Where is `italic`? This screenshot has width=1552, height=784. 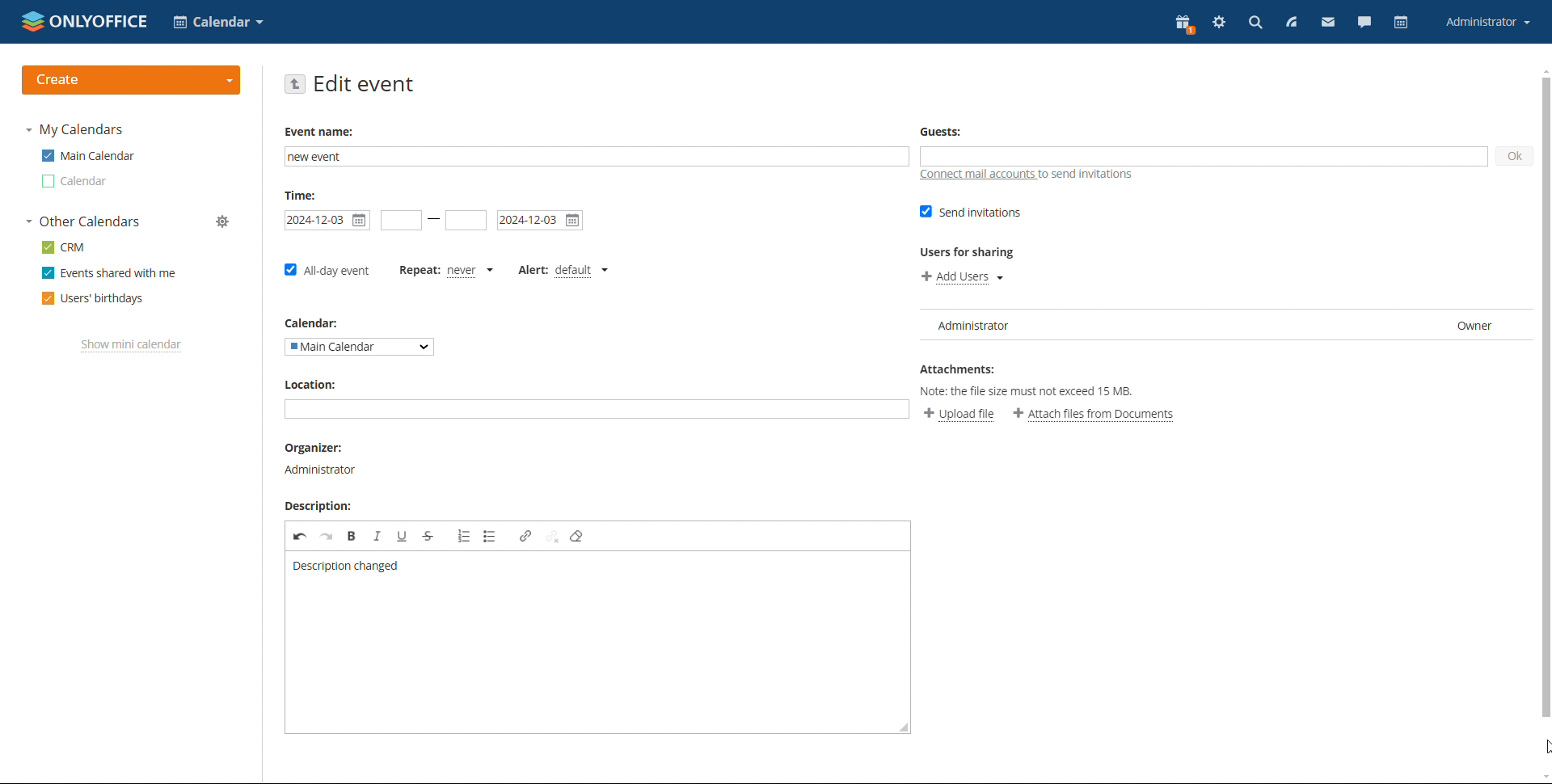 italic is located at coordinates (377, 536).